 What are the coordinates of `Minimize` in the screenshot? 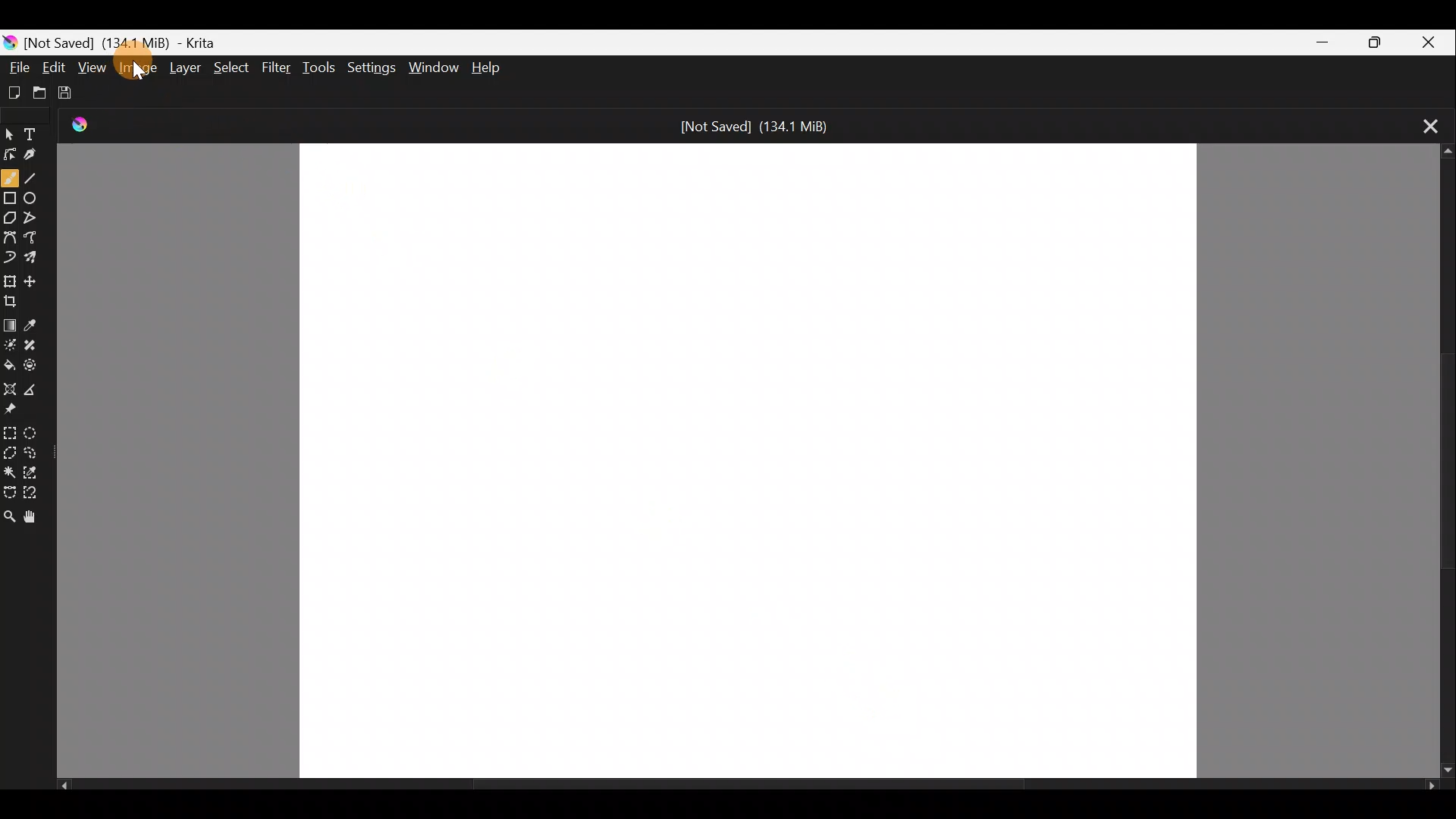 It's located at (1314, 42).